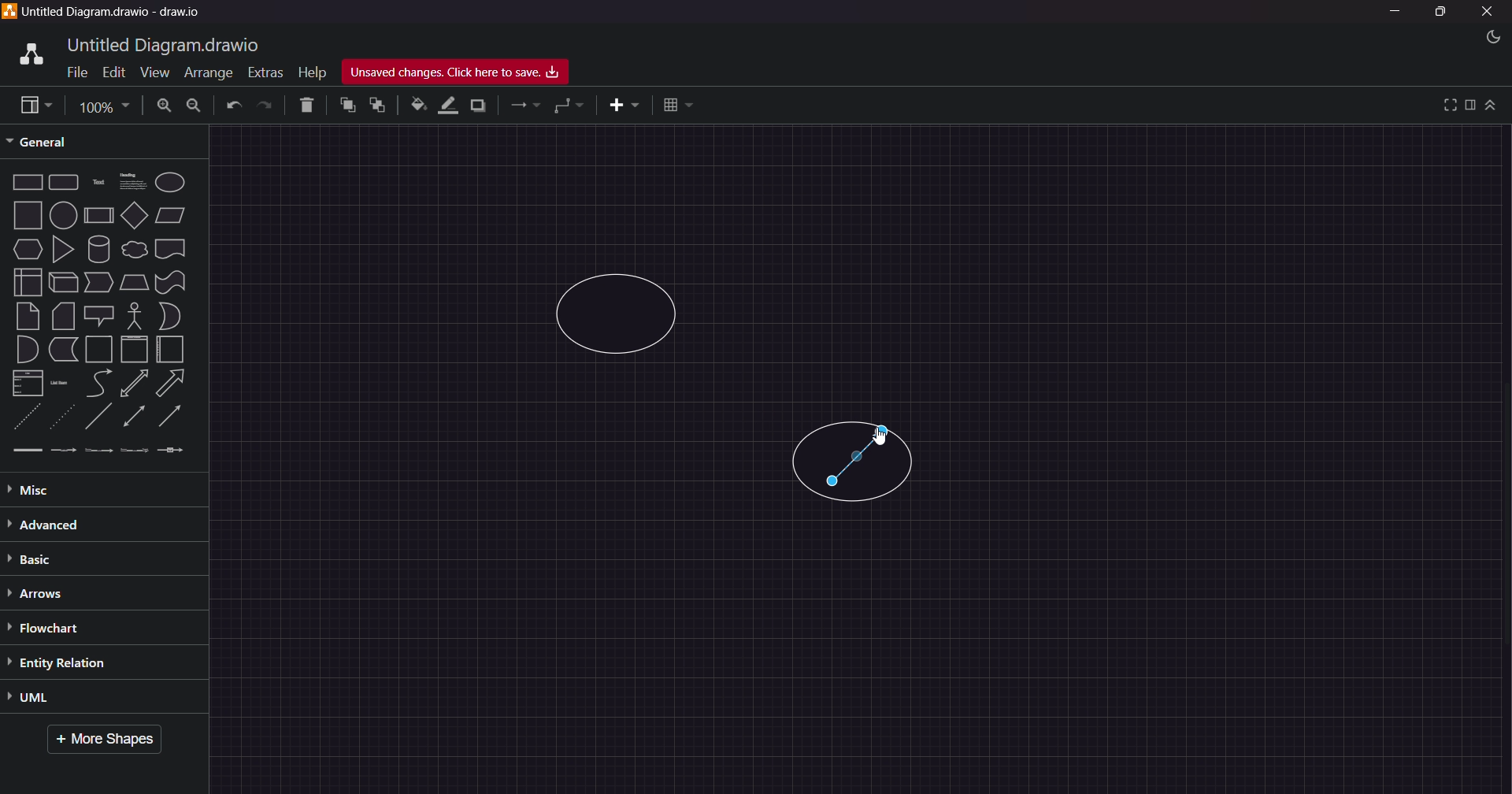  What do you see at coordinates (1470, 105) in the screenshot?
I see `format` at bounding box center [1470, 105].